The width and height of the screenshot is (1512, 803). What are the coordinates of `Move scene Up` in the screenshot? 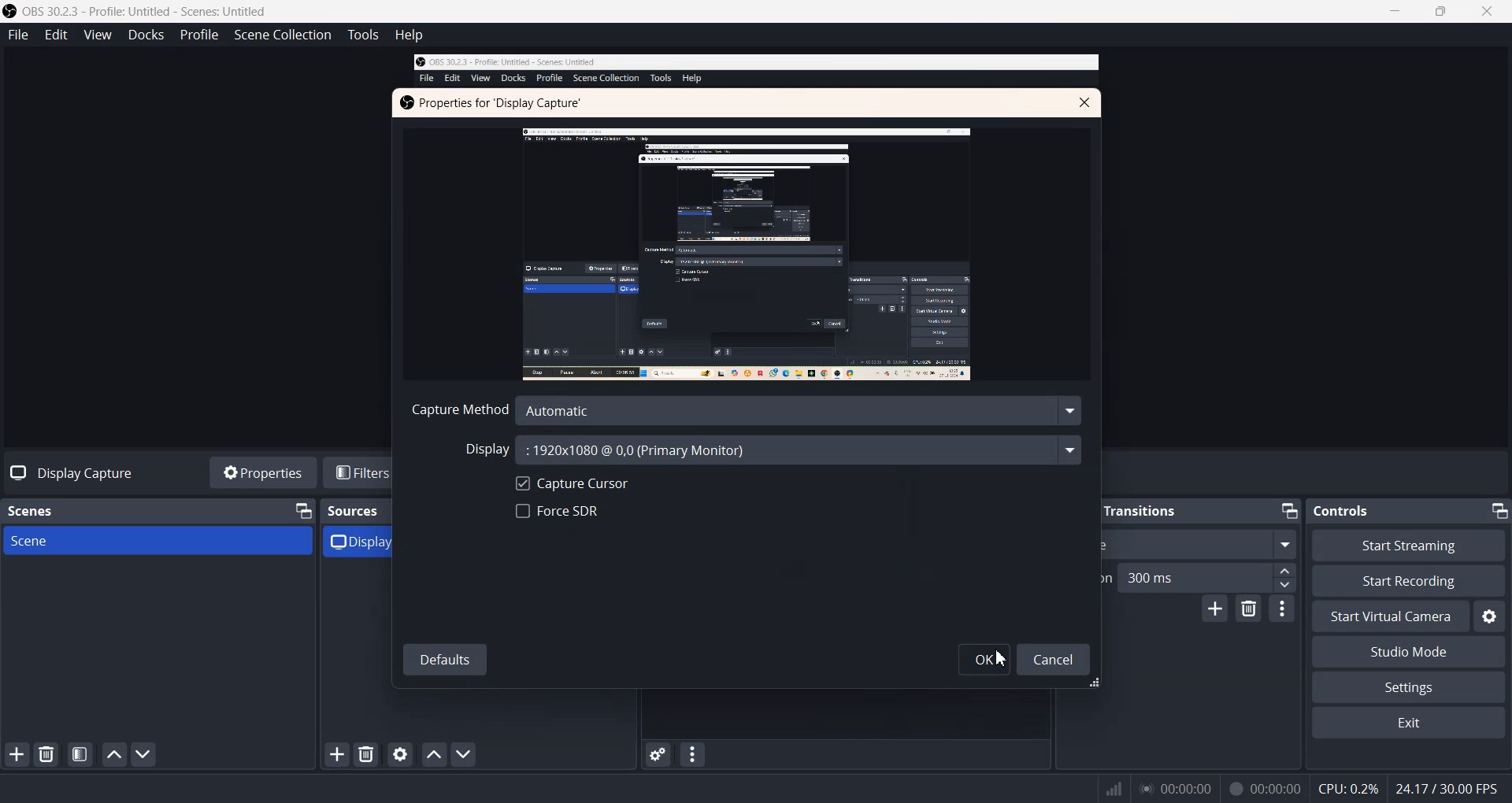 It's located at (114, 755).